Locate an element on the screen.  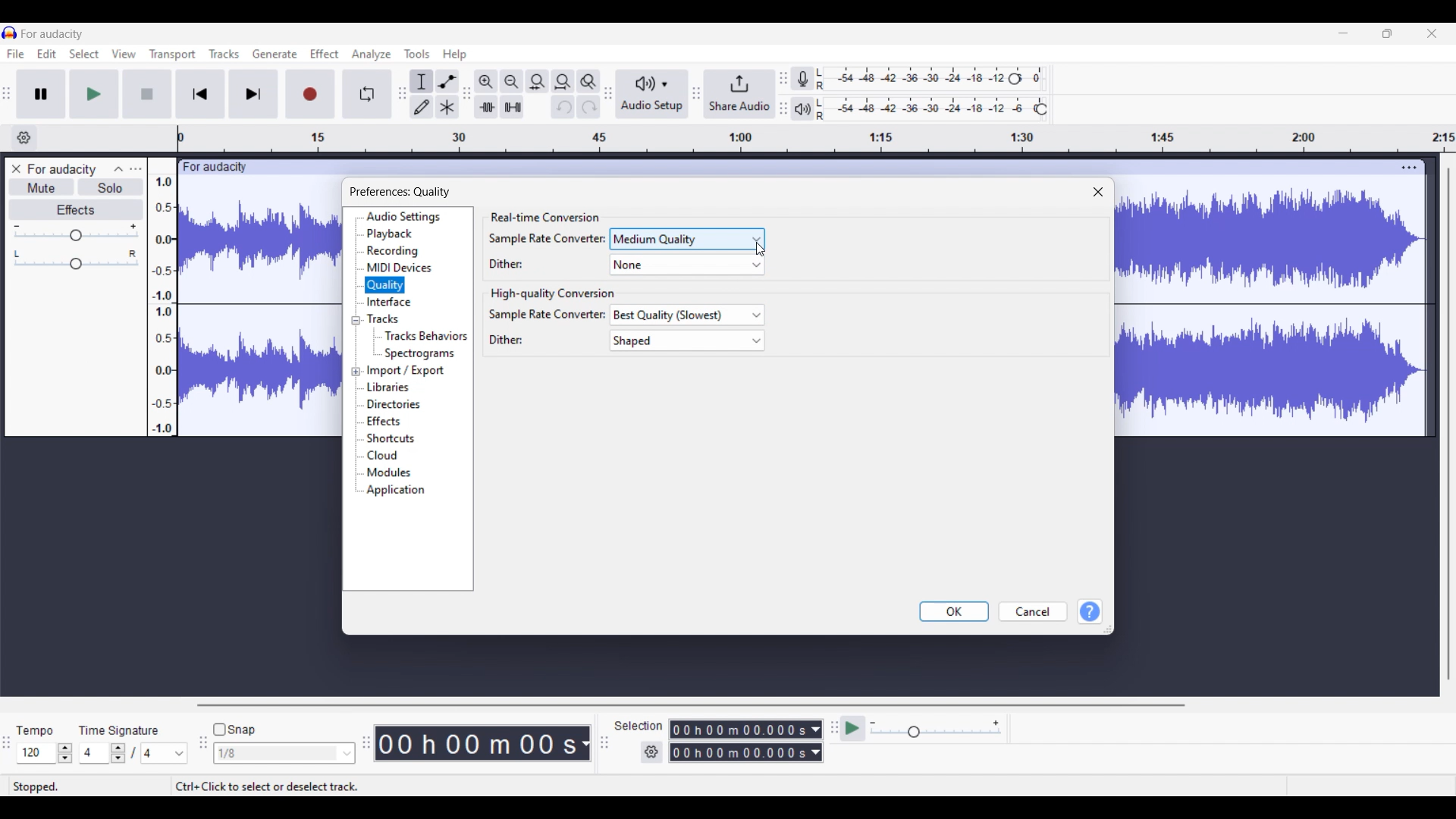
Header to change recording level is located at coordinates (1015, 79).